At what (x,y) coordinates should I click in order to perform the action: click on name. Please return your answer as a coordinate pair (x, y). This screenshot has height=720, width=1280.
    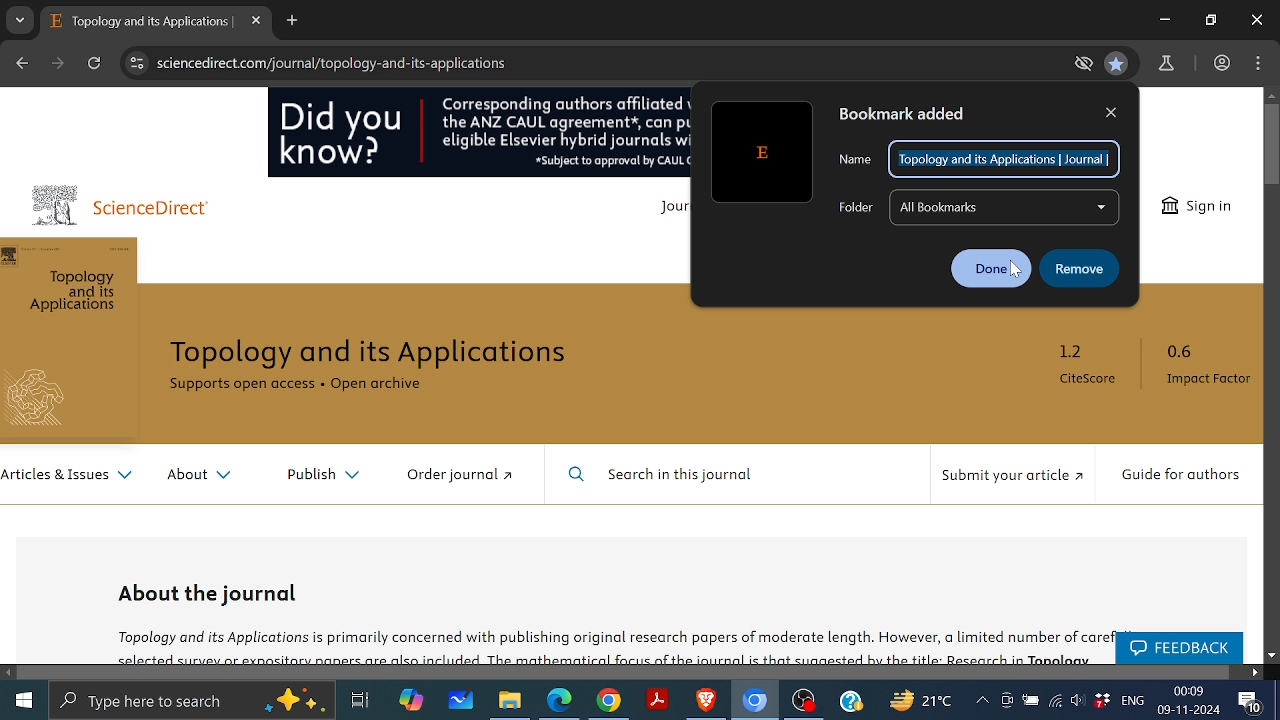
    Looking at the image, I should click on (855, 161).